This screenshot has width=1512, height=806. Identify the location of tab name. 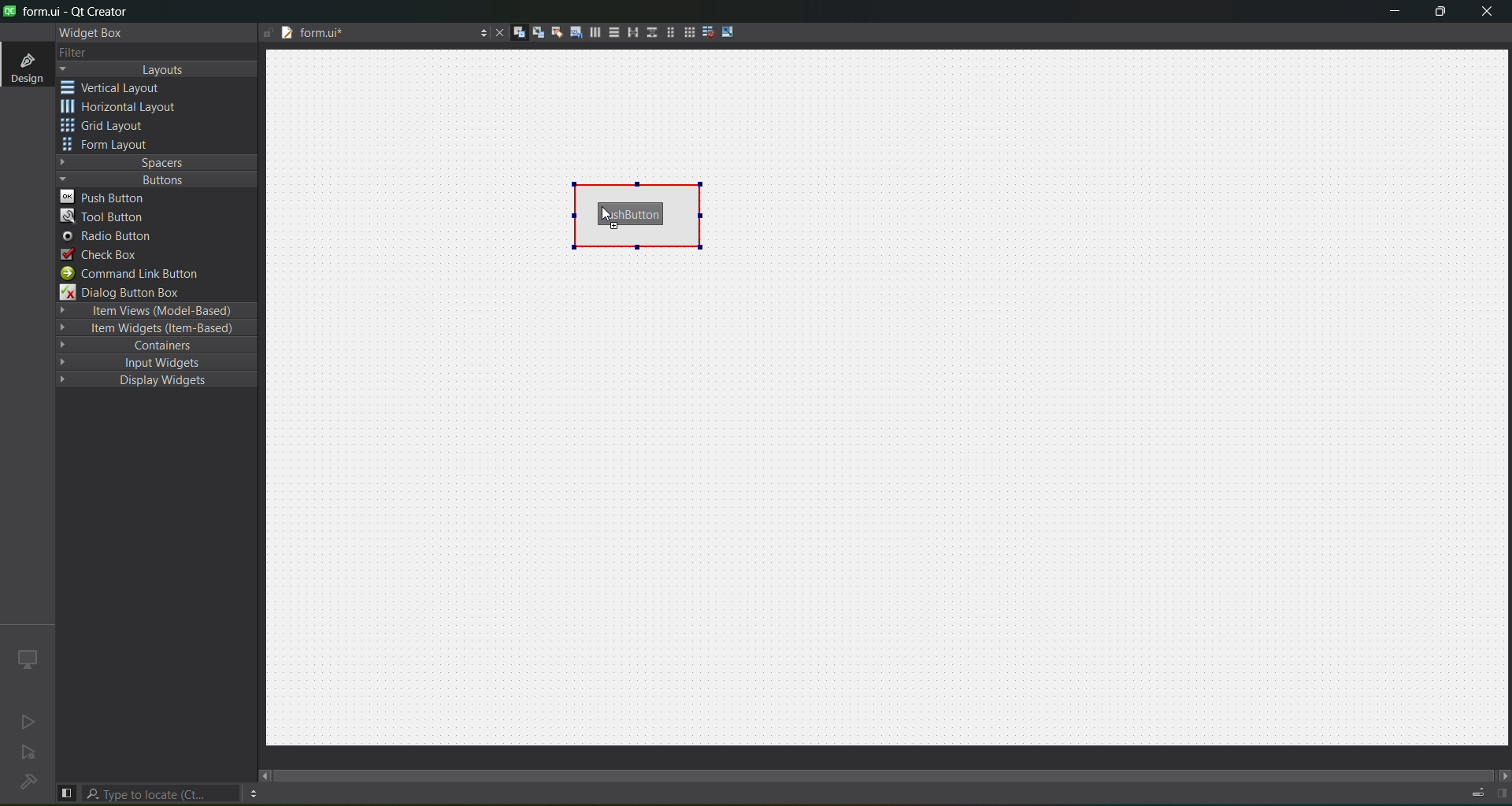
(360, 35).